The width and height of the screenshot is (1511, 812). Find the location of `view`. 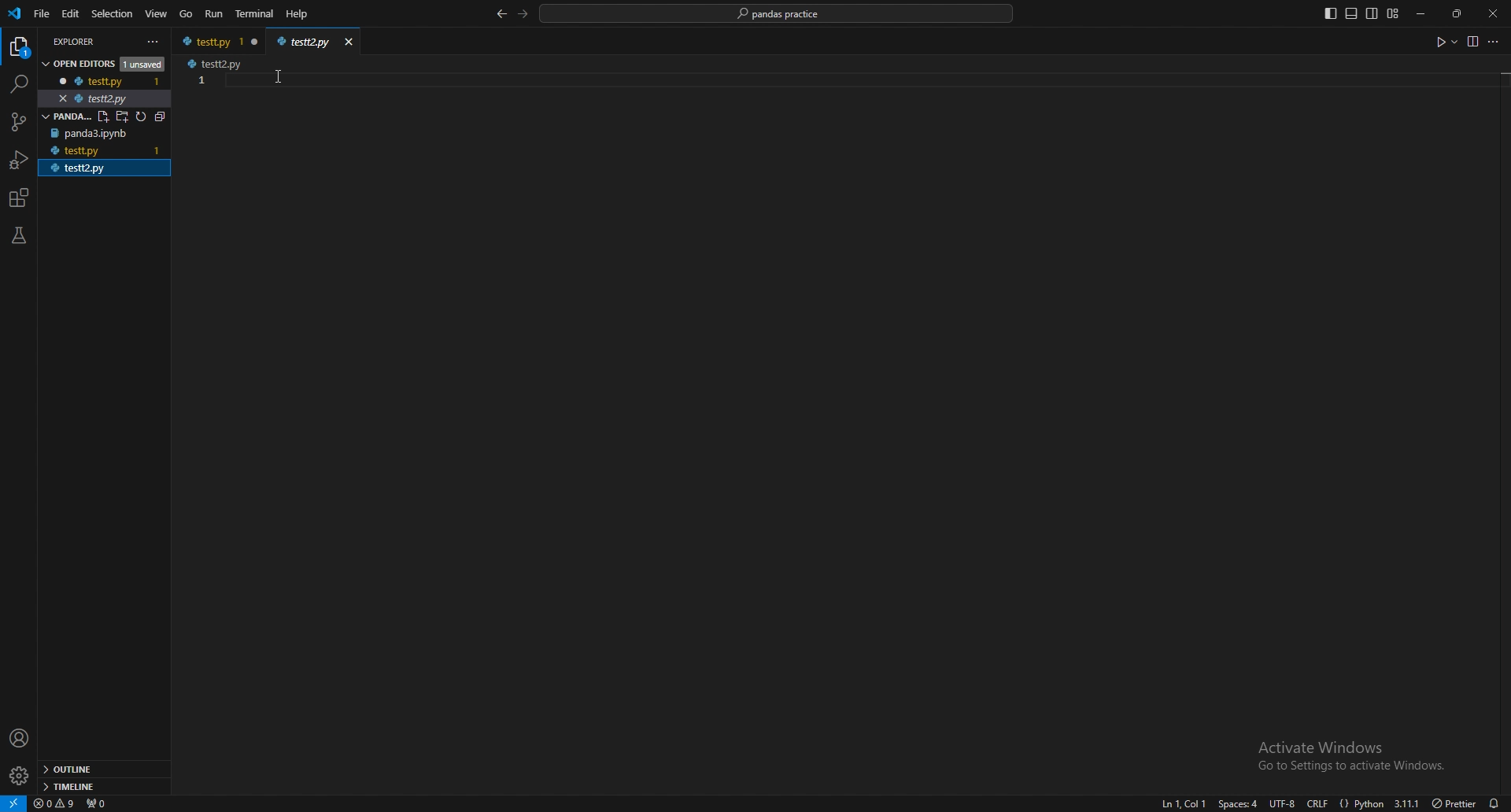

view is located at coordinates (1472, 41).